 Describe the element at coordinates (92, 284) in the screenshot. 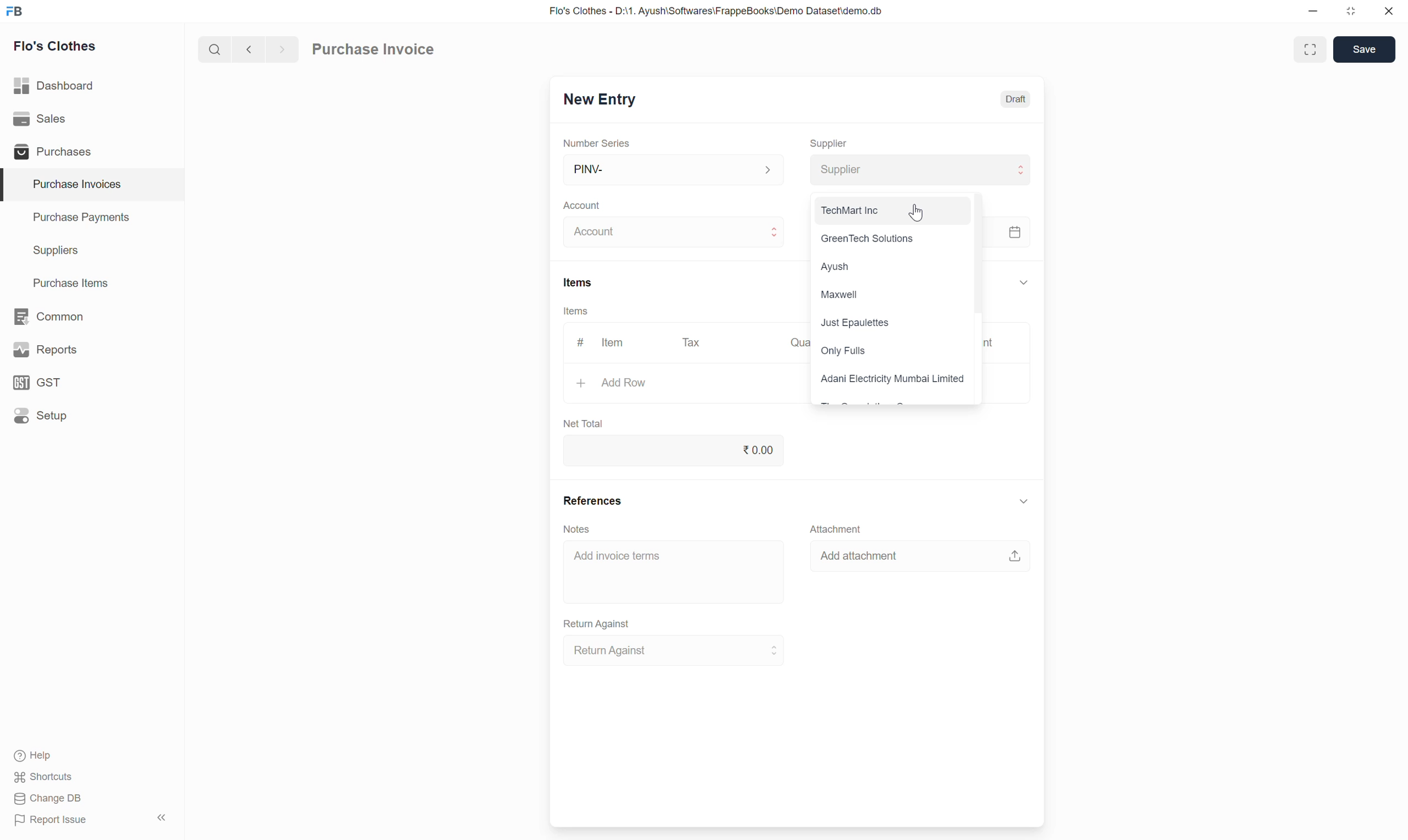

I see `Purchase Items` at that location.